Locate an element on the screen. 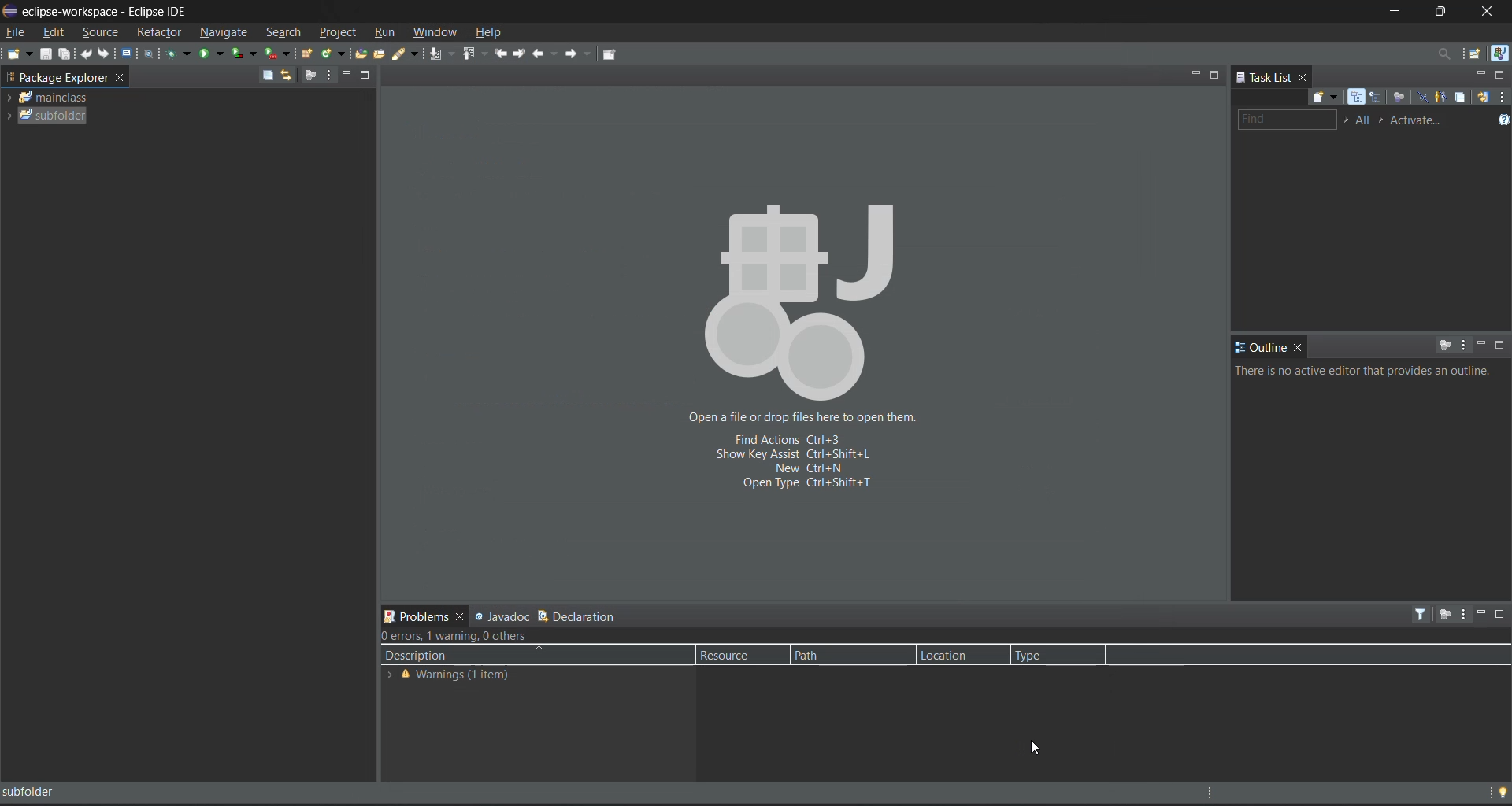 This screenshot has width=1512, height=806. outline is located at coordinates (1261, 348).